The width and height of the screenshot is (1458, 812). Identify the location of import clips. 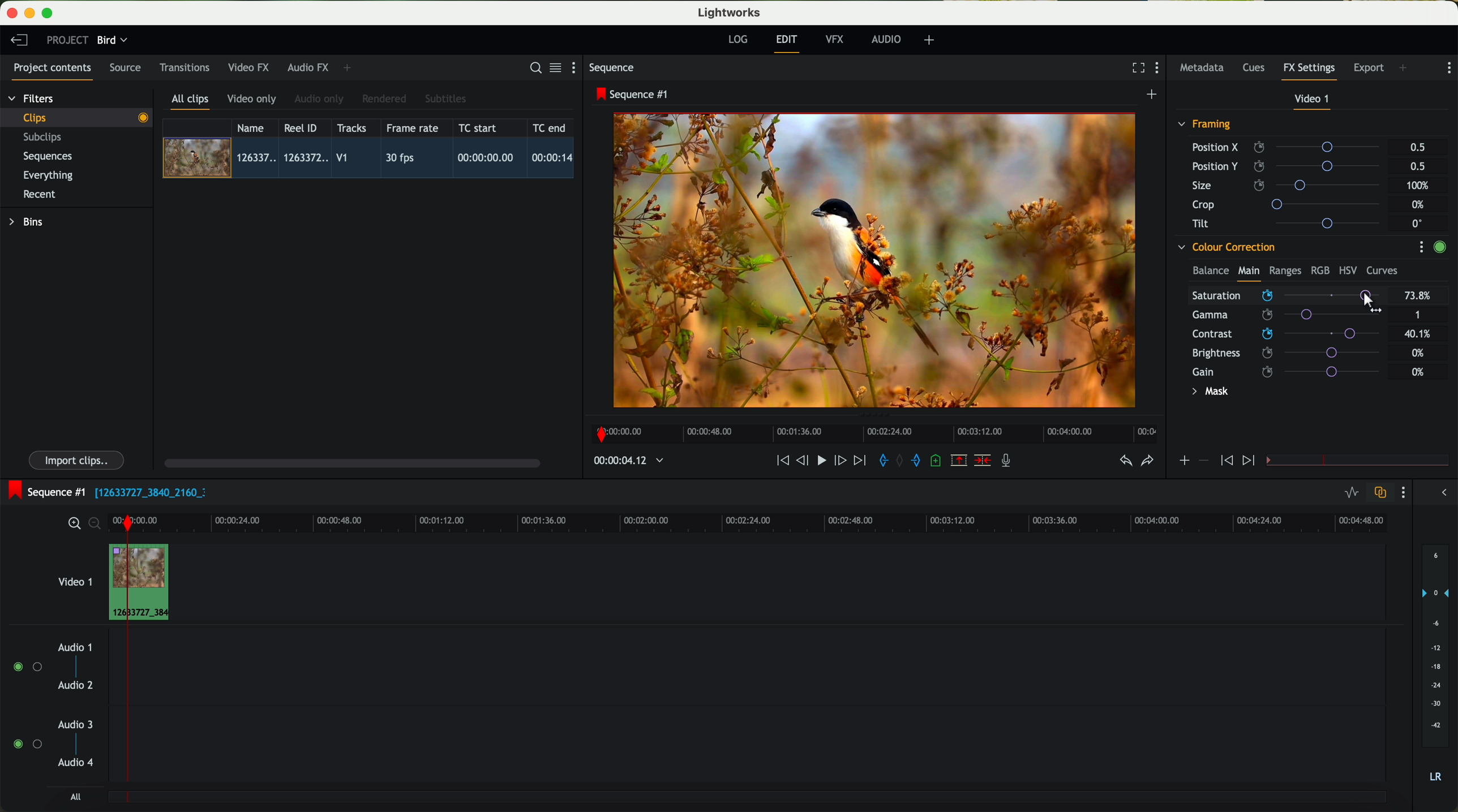
(78, 459).